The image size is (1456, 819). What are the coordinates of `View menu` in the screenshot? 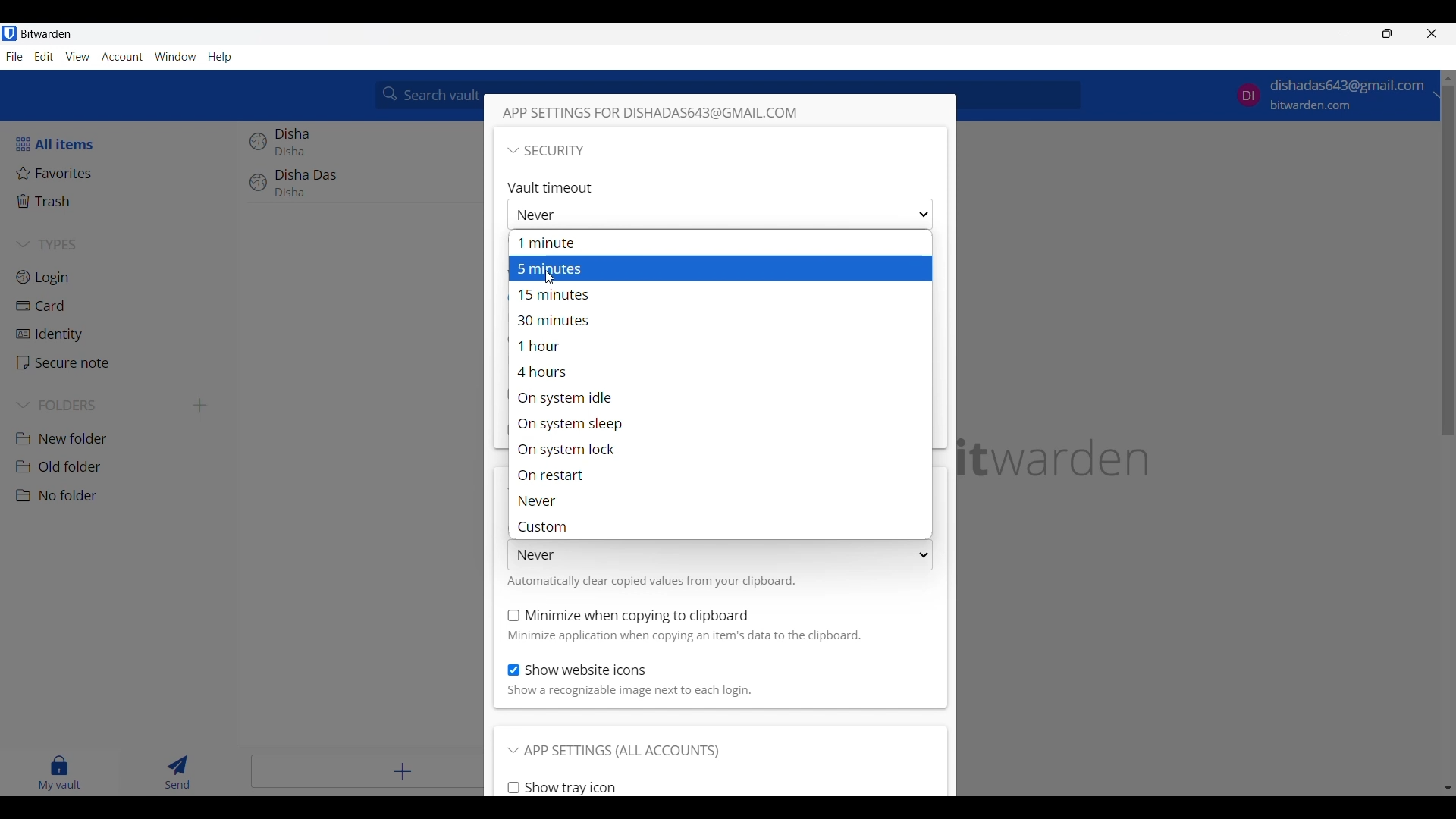 It's located at (77, 57).